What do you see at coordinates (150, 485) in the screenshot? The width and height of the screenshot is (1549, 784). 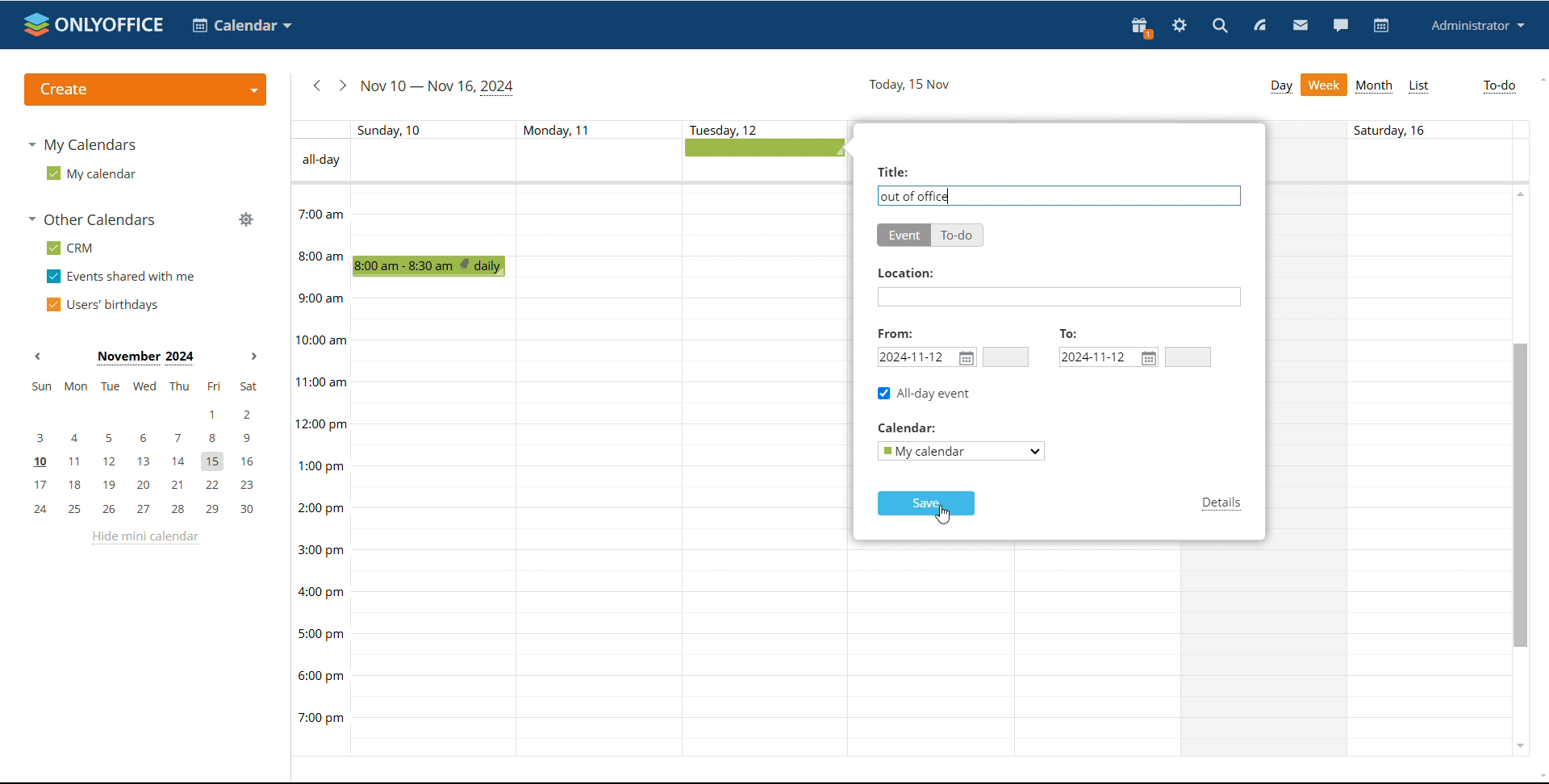 I see `17, 18, 19, 20, 21, 22, 23` at bounding box center [150, 485].